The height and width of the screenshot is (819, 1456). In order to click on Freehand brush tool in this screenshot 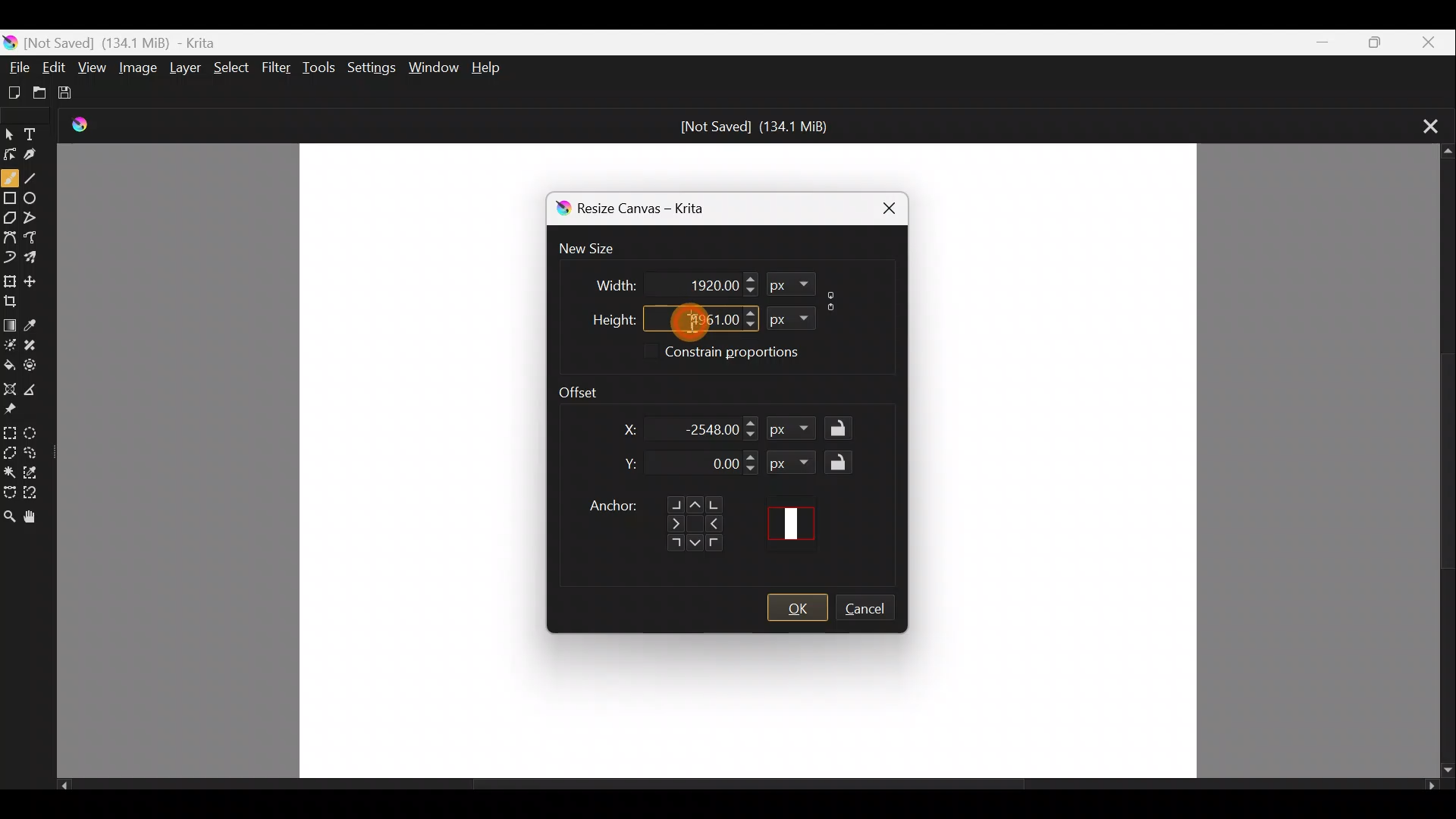, I will do `click(10, 177)`.